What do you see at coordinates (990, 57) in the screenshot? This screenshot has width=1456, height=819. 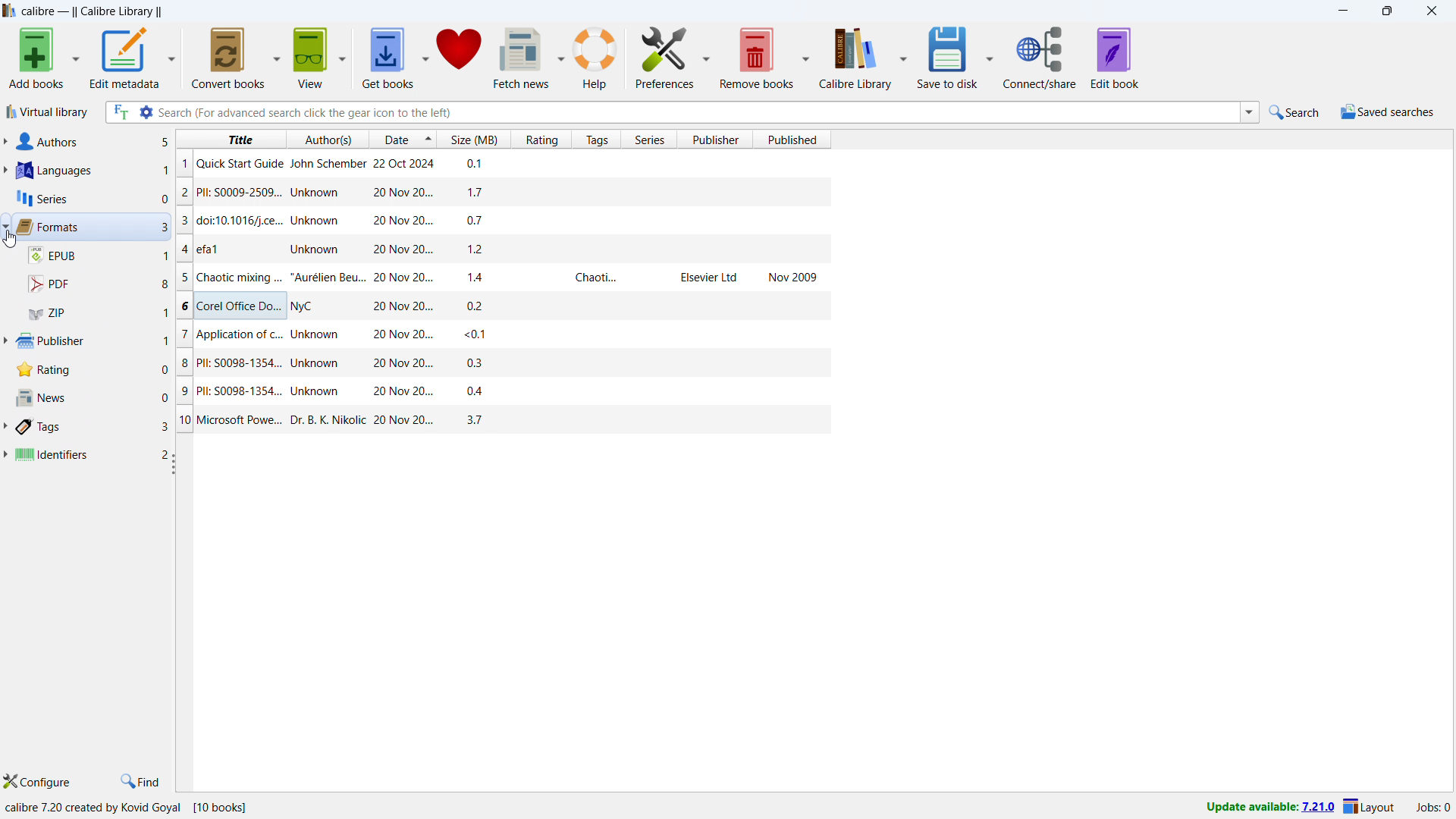 I see `save to disk` at bounding box center [990, 57].